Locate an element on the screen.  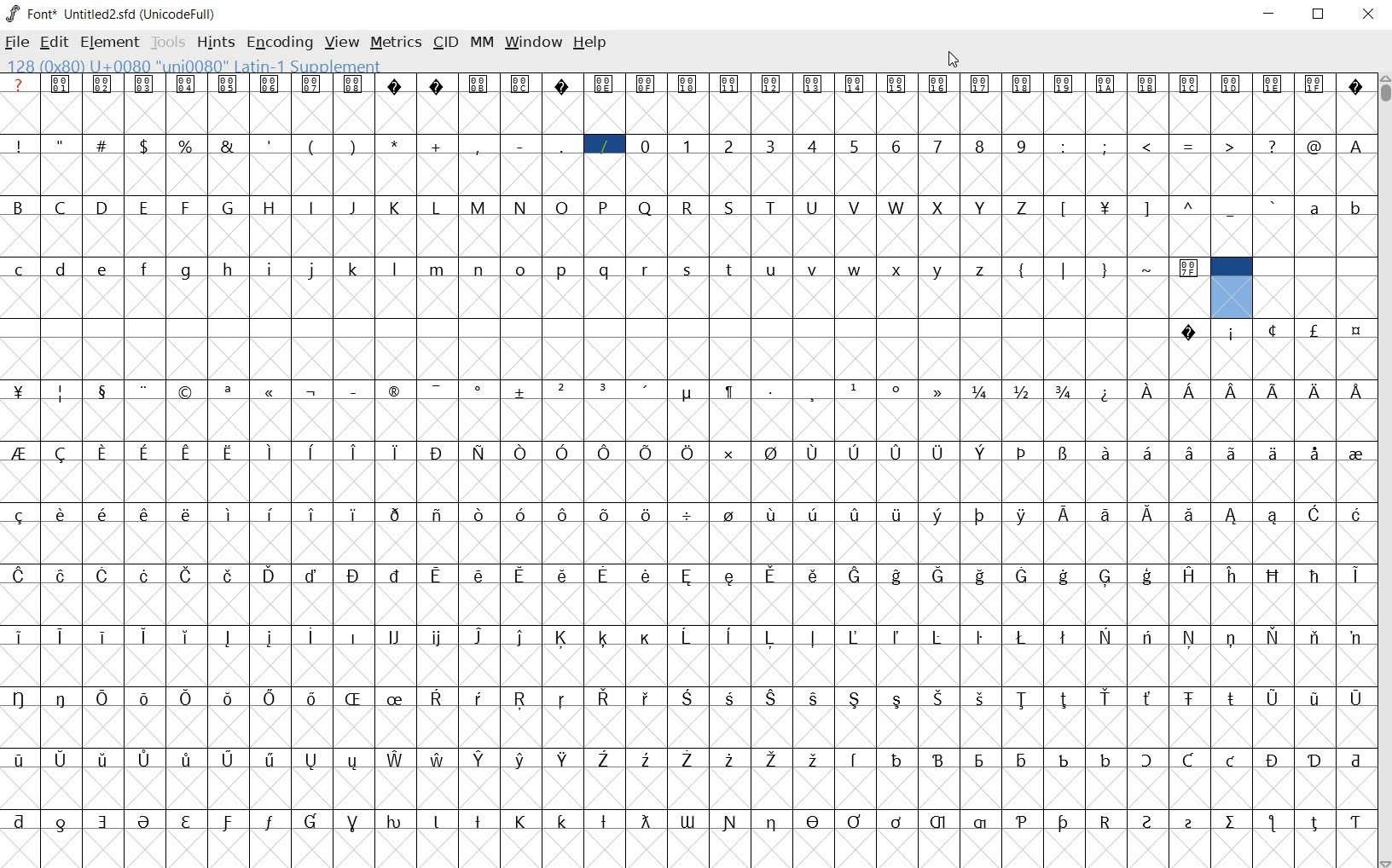
Symbol is located at coordinates (983, 391).